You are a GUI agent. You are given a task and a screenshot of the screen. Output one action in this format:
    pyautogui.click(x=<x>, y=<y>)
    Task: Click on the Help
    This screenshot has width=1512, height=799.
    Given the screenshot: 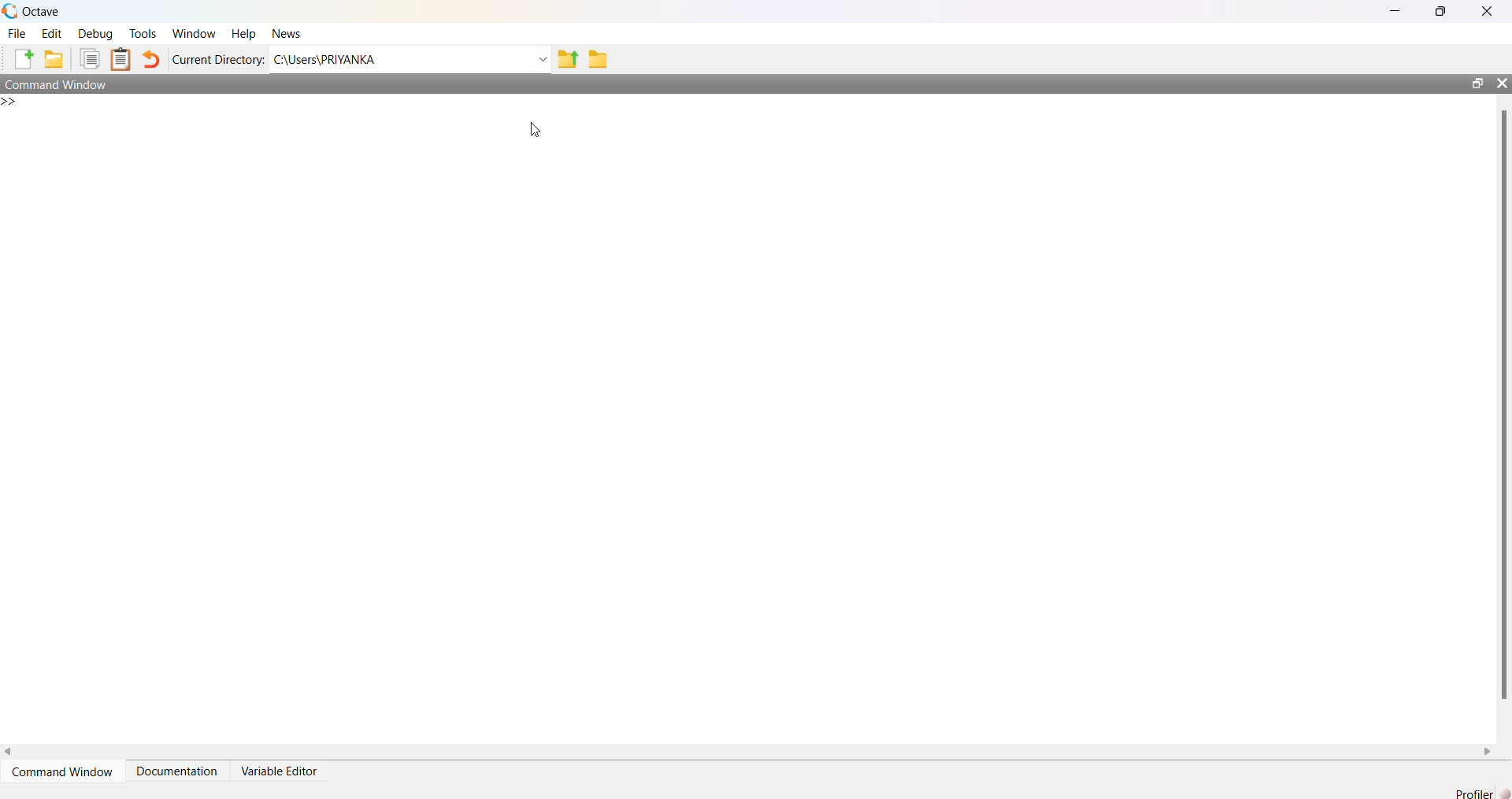 What is the action you would take?
    pyautogui.click(x=244, y=32)
    